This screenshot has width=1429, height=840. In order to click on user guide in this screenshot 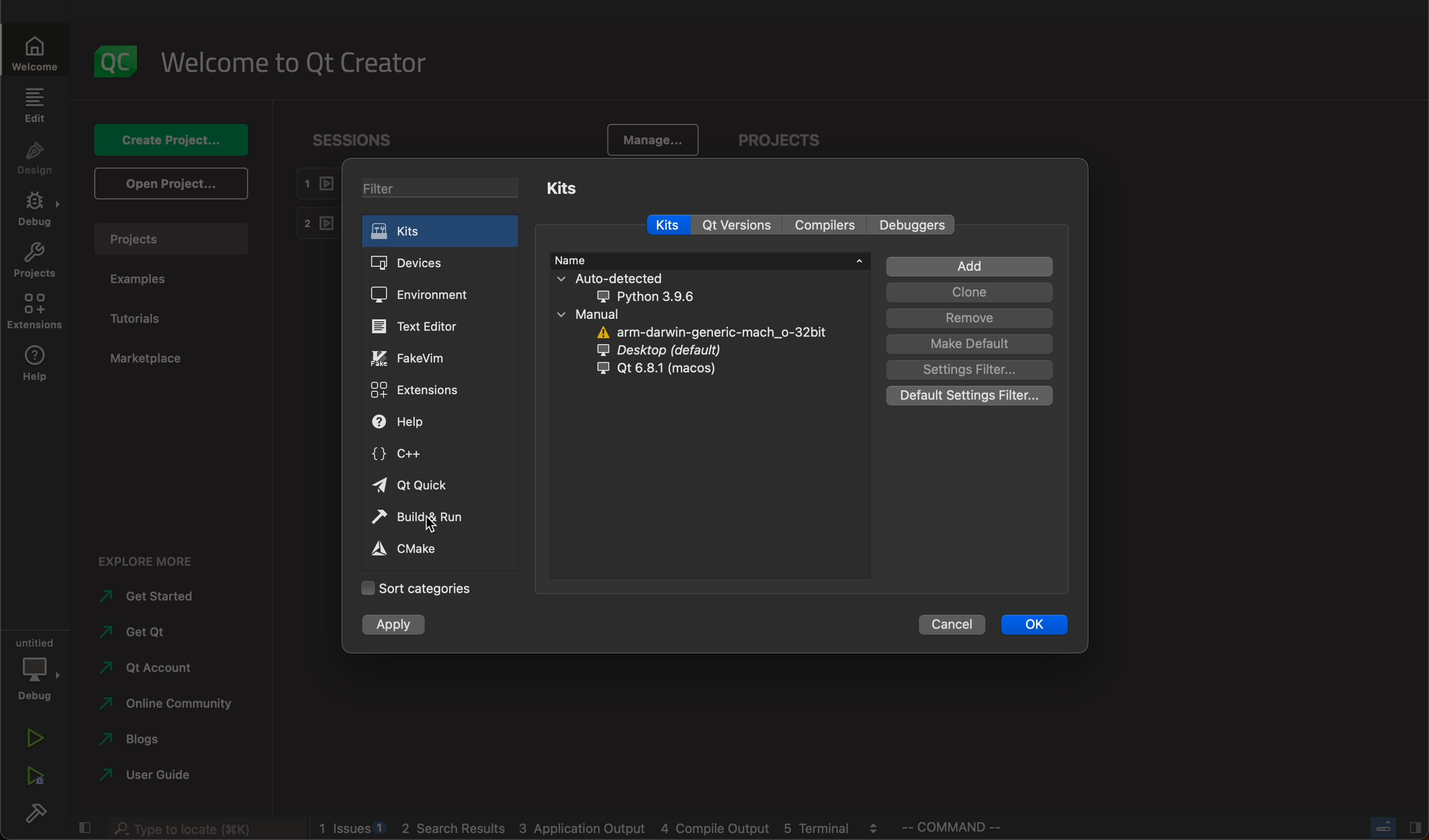, I will do `click(152, 775)`.